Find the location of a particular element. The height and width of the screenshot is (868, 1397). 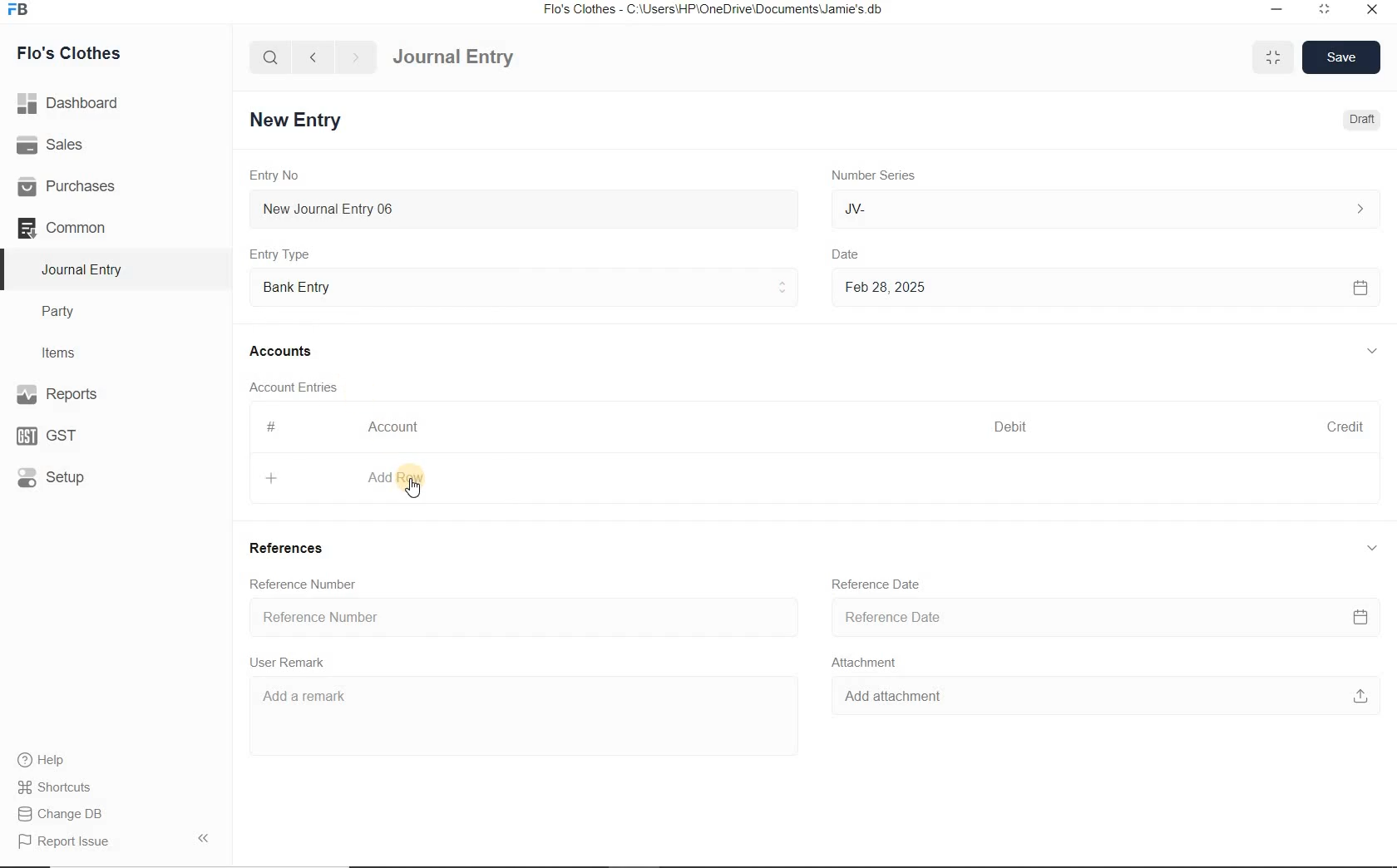

collapse is located at coordinates (1370, 550).